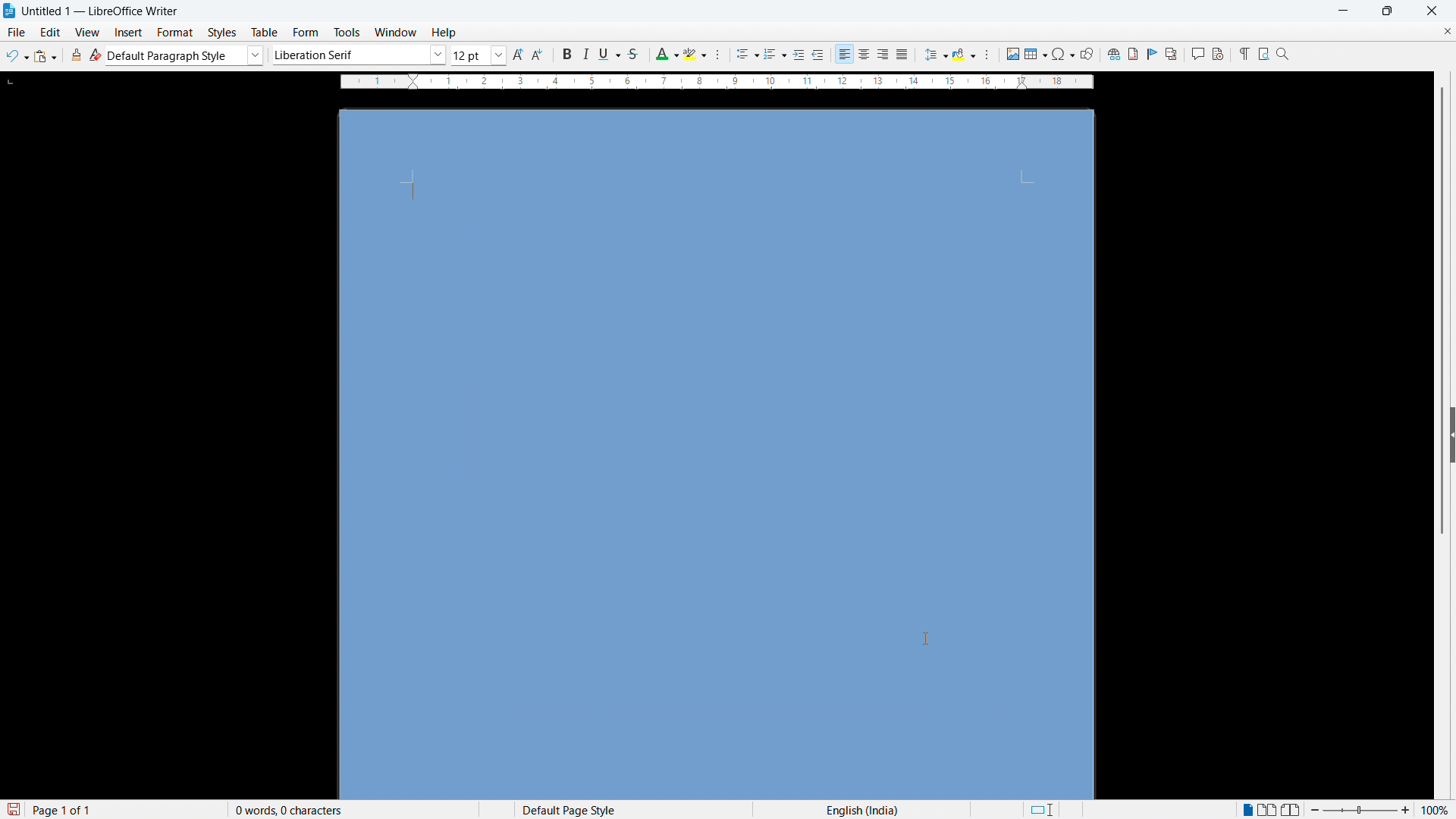 The width and height of the screenshot is (1456, 819). I want to click on Background colour , so click(965, 55).